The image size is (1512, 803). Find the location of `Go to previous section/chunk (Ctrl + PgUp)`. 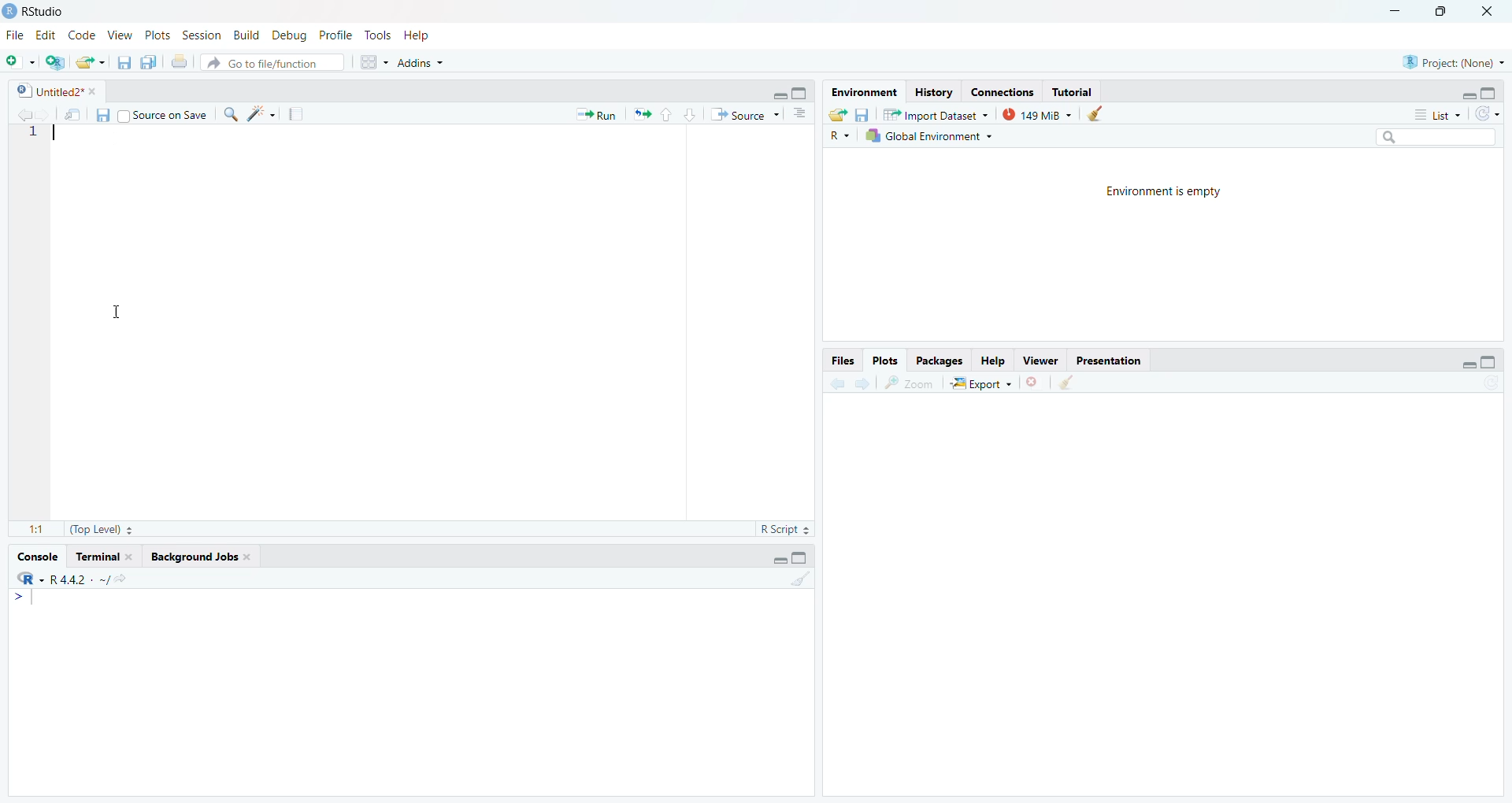

Go to previous section/chunk (Ctrl + PgUp) is located at coordinates (669, 112).